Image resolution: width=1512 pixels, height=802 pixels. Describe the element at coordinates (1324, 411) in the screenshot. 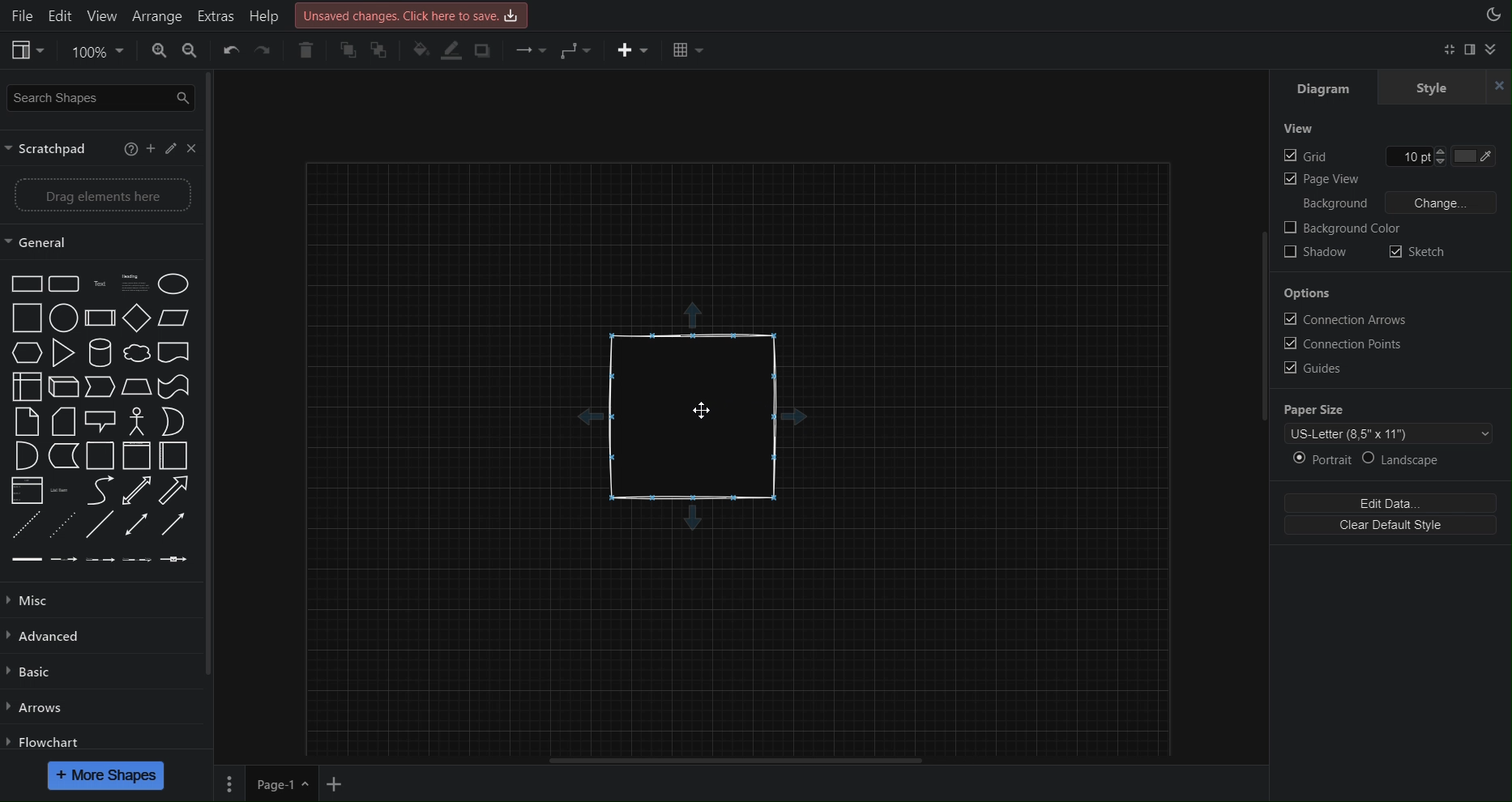

I see `Paper Size` at that location.